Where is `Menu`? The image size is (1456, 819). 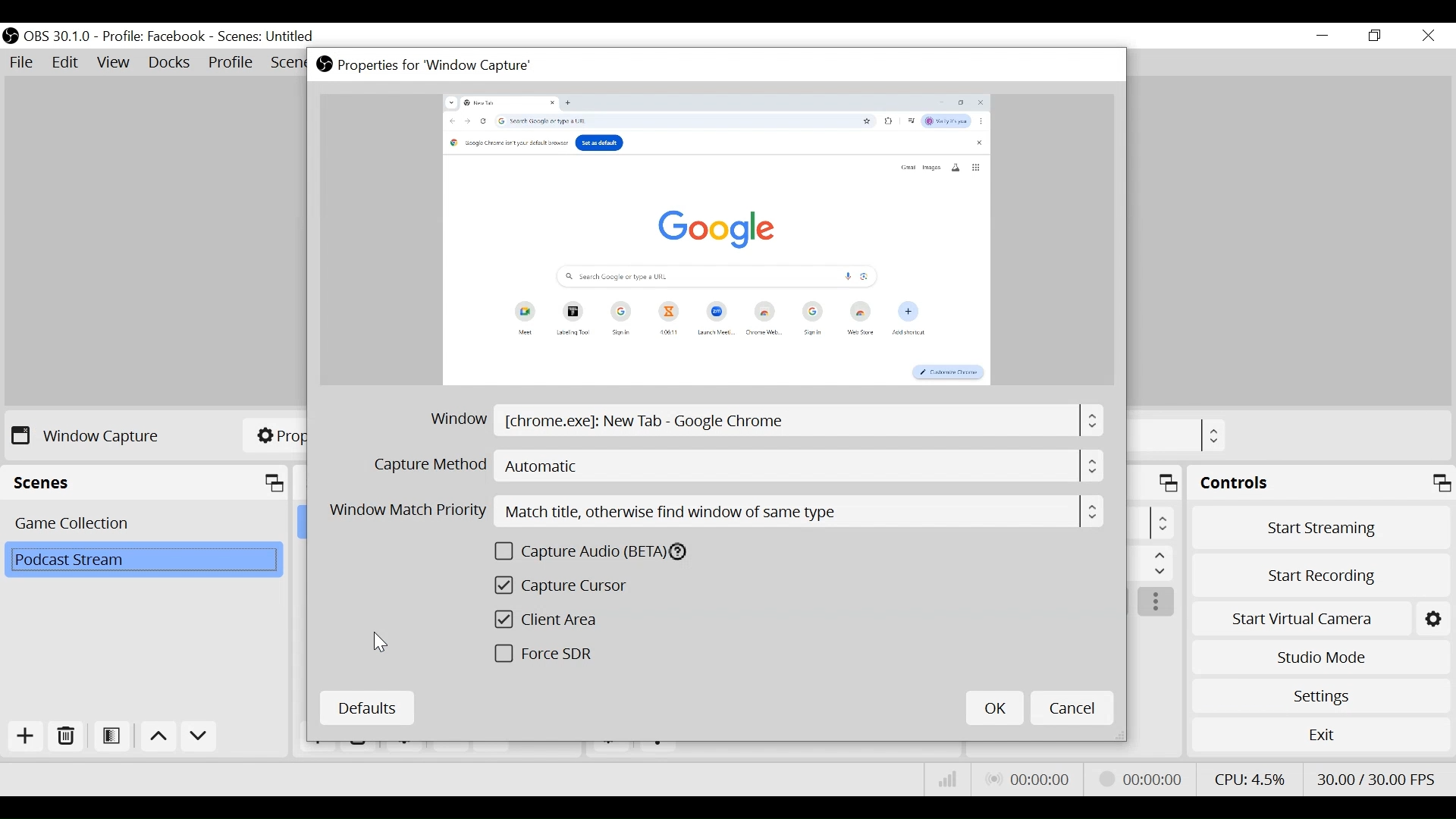
Menu is located at coordinates (1163, 522).